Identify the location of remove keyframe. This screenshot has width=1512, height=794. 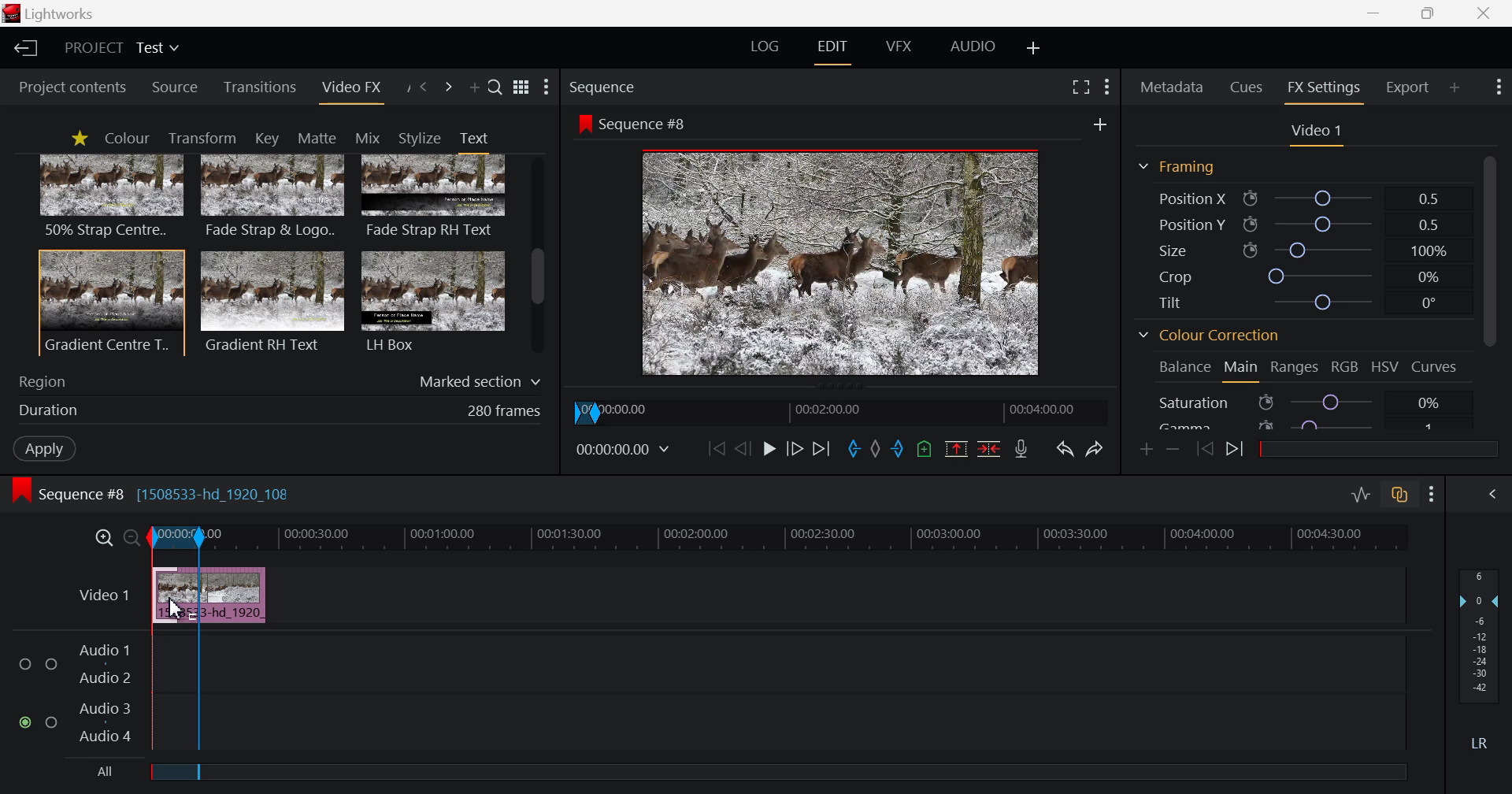
(1173, 449).